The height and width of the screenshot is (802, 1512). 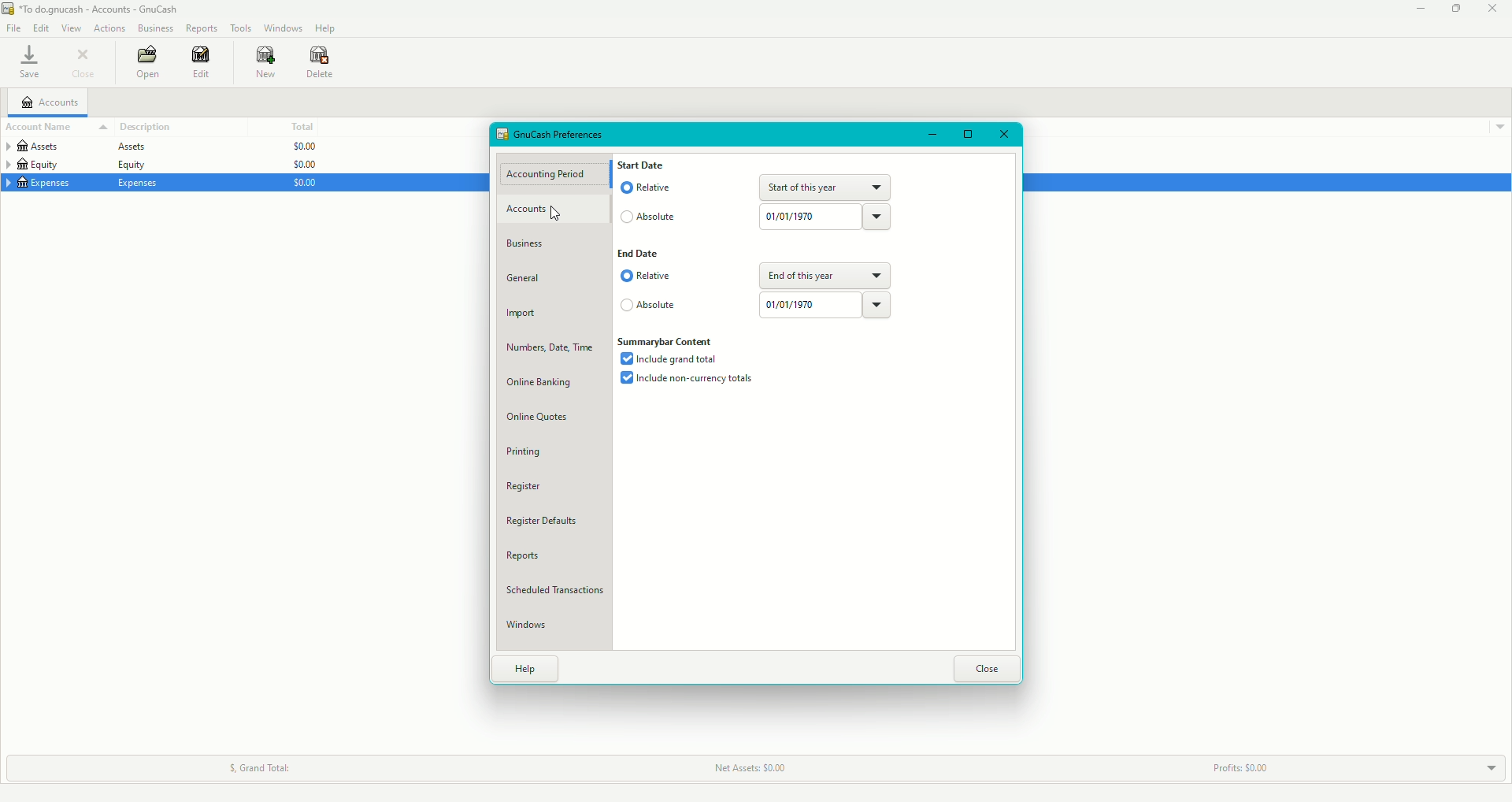 What do you see at coordinates (56, 128) in the screenshot?
I see `Account Name` at bounding box center [56, 128].